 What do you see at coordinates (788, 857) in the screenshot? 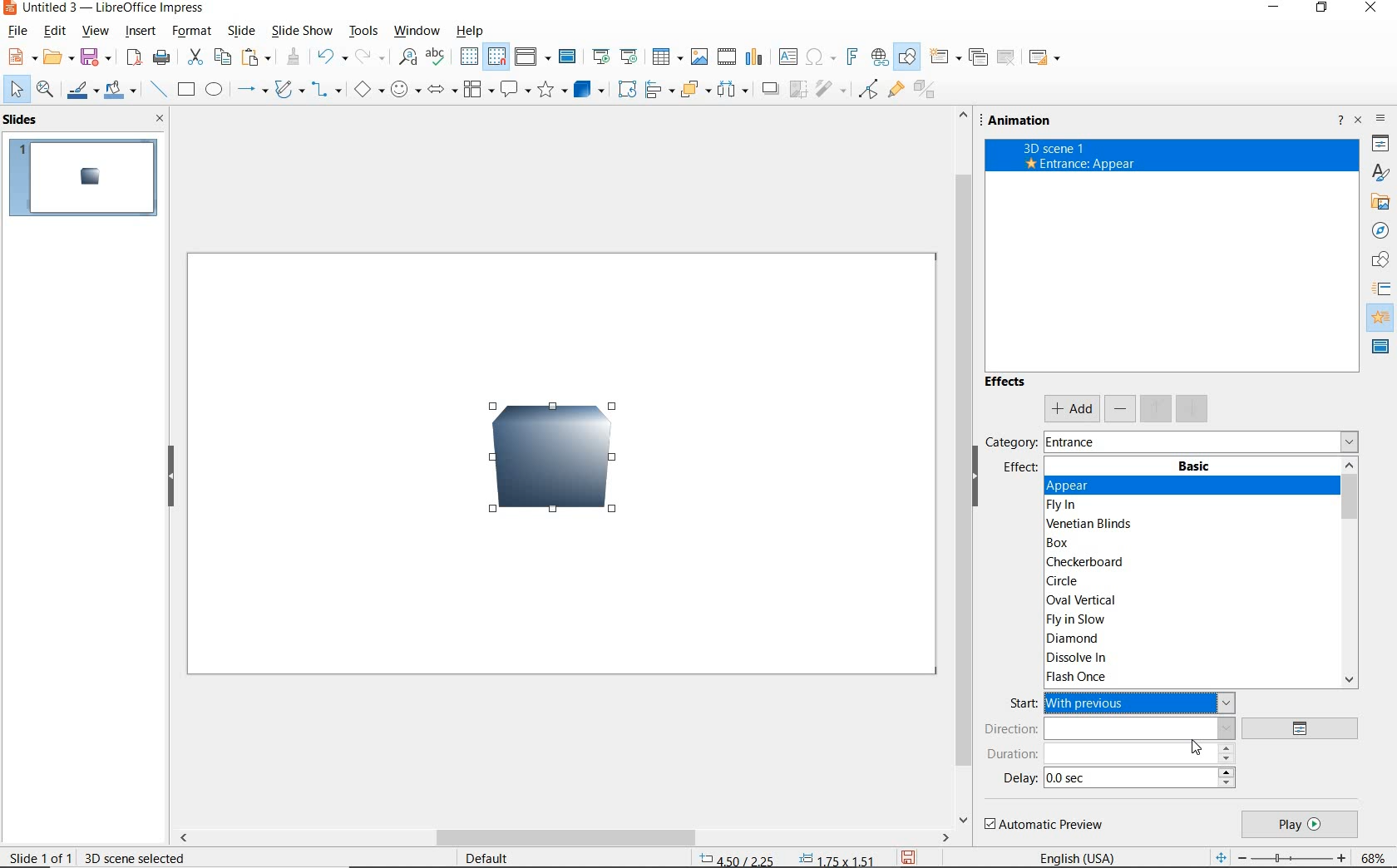
I see `position & size` at bounding box center [788, 857].